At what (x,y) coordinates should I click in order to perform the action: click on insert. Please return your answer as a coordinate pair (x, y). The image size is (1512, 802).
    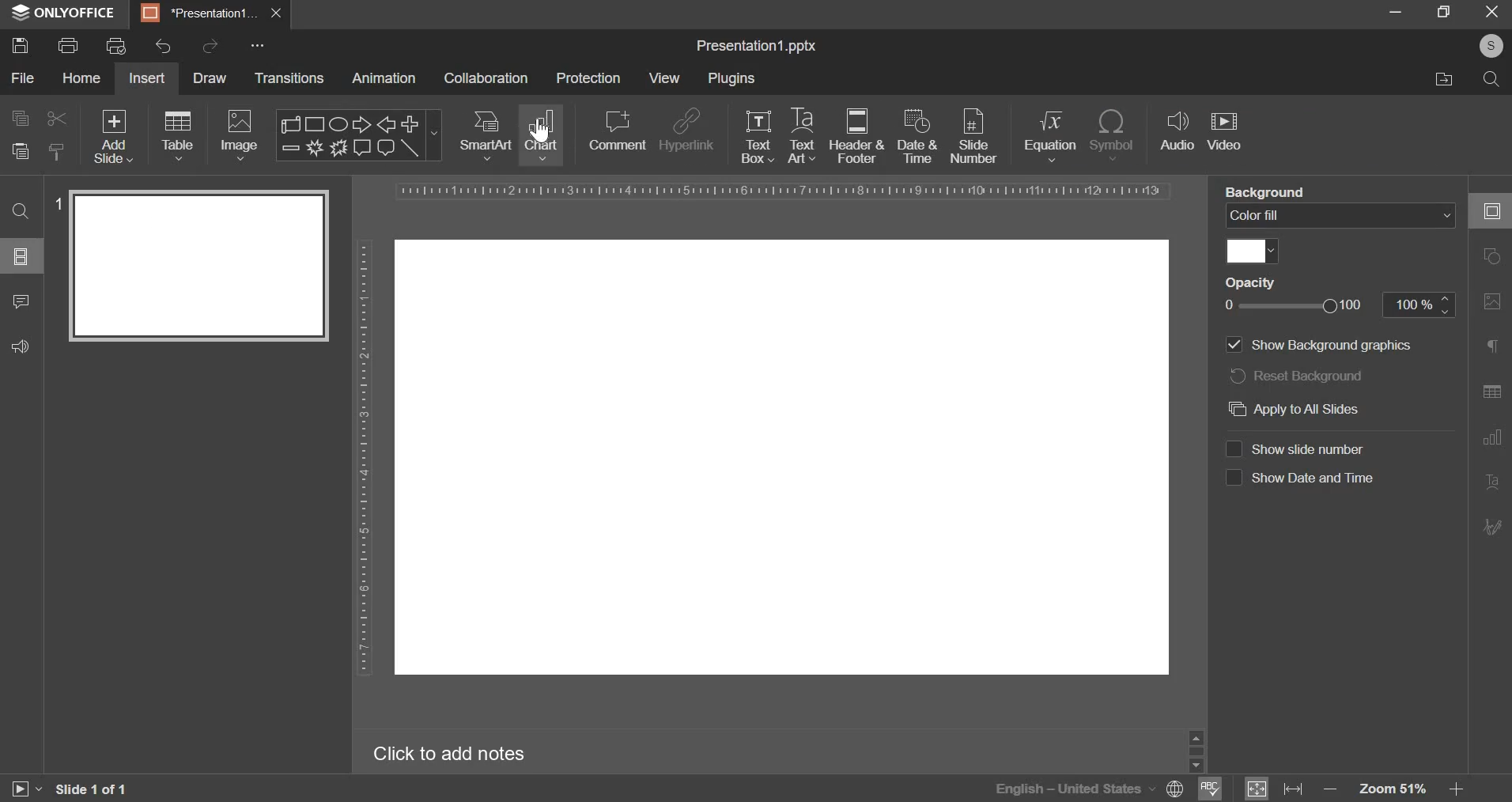
    Looking at the image, I should click on (146, 78).